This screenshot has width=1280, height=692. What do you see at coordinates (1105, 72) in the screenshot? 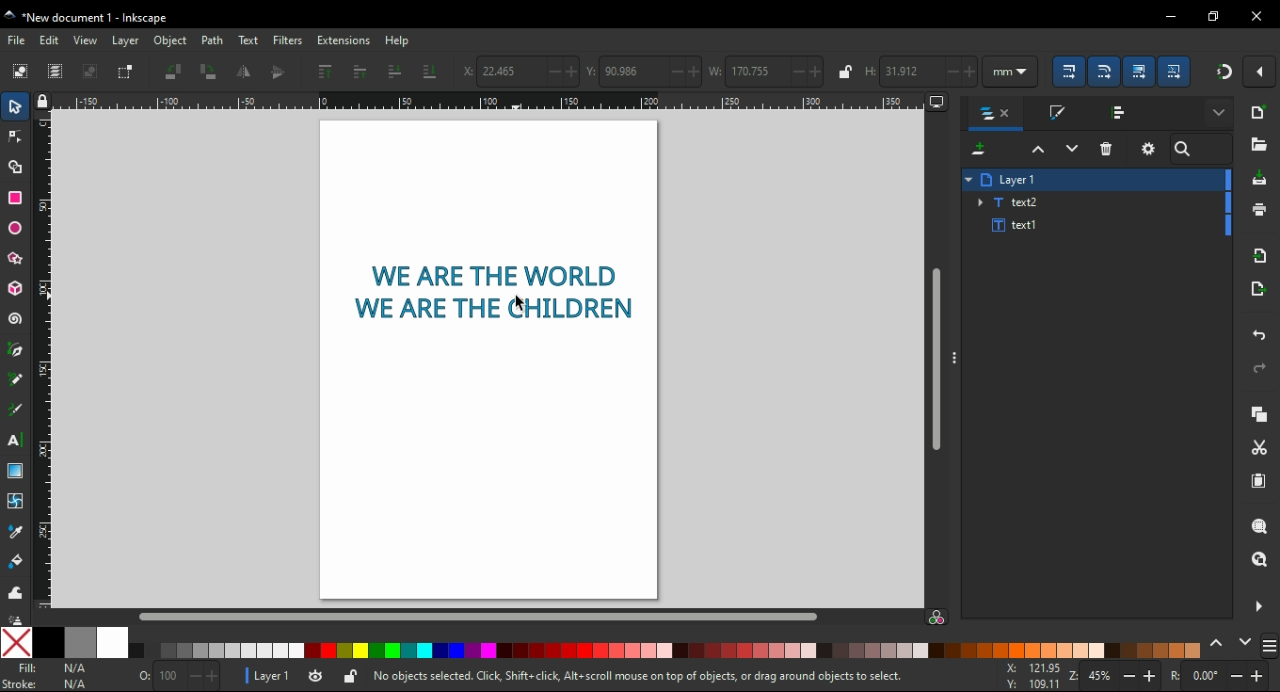
I see `scale ready of round corners` at bounding box center [1105, 72].